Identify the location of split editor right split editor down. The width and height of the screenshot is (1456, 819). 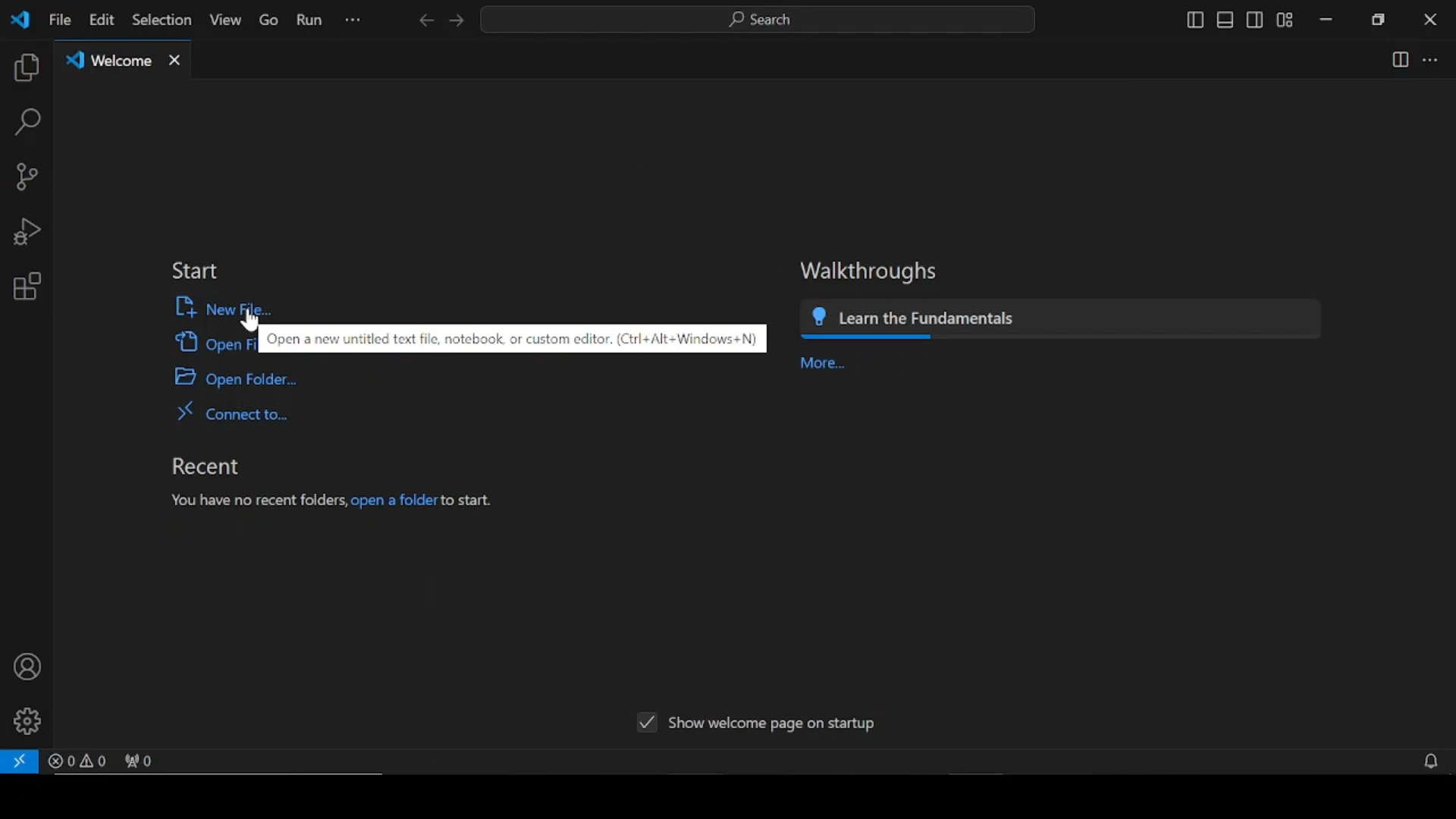
(1401, 58).